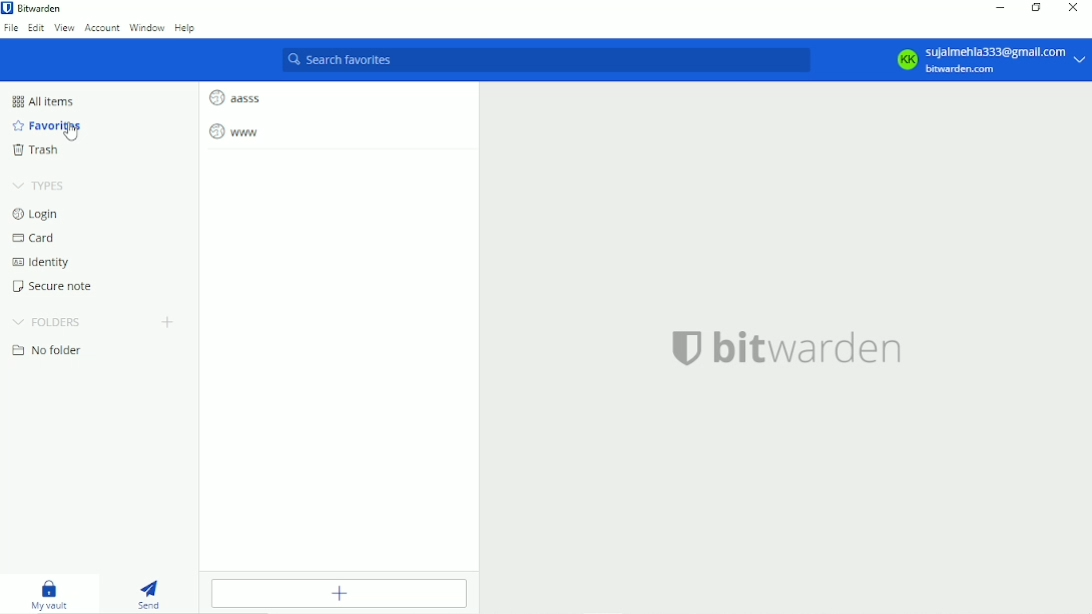 Image resolution: width=1092 pixels, height=614 pixels. Describe the element at coordinates (35, 28) in the screenshot. I see `Edit` at that location.